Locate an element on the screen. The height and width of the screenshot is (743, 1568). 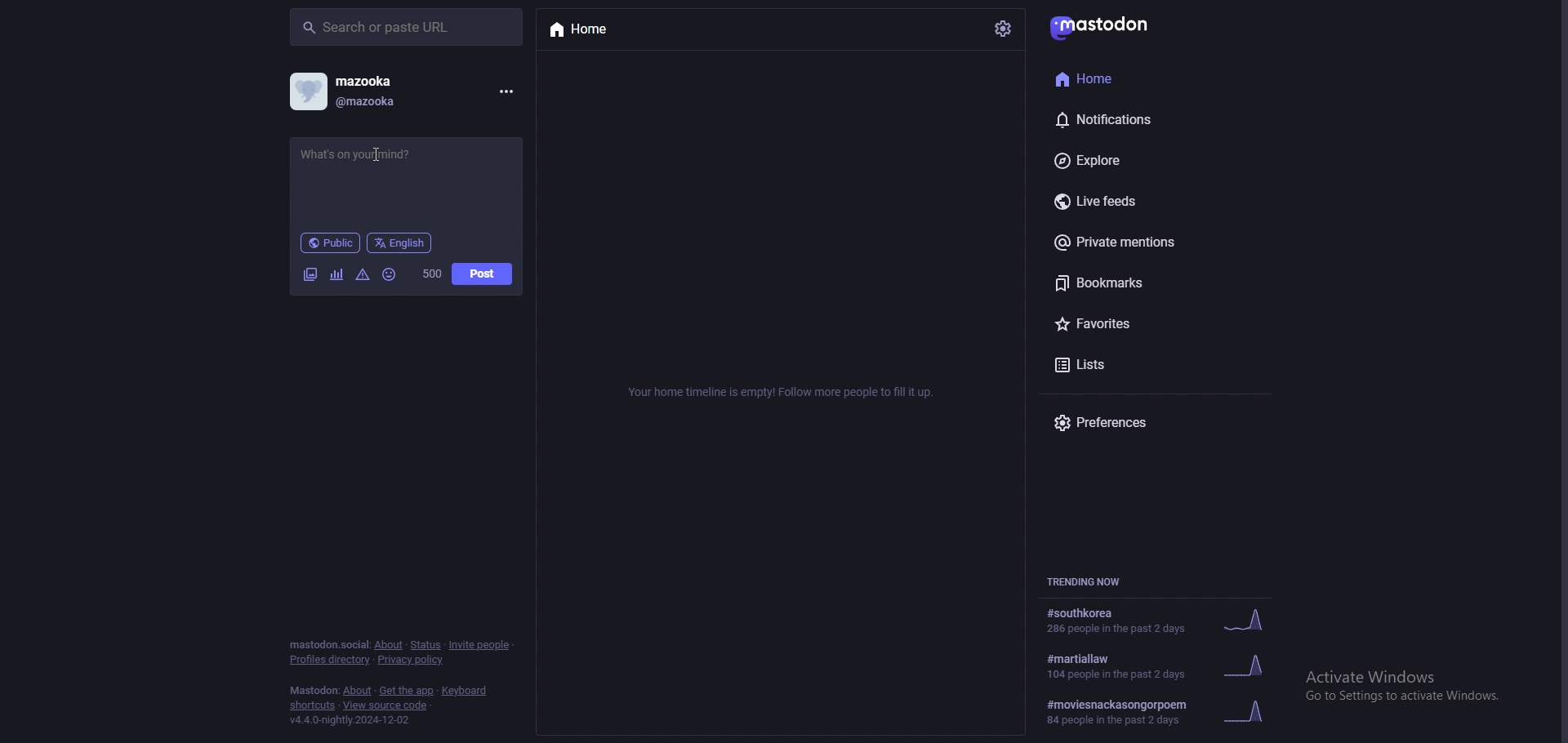
view source code is located at coordinates (388, 705).